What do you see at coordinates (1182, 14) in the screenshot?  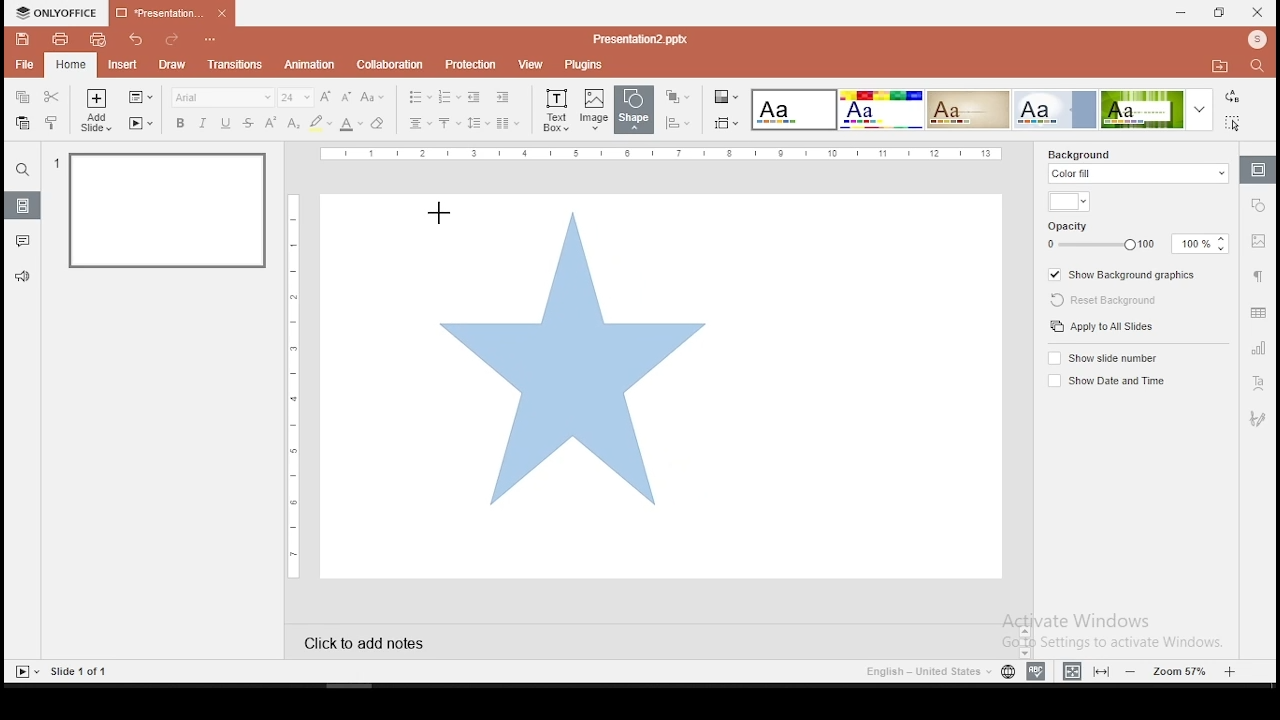 I see `minimize` at bounding box center [1182, 14].